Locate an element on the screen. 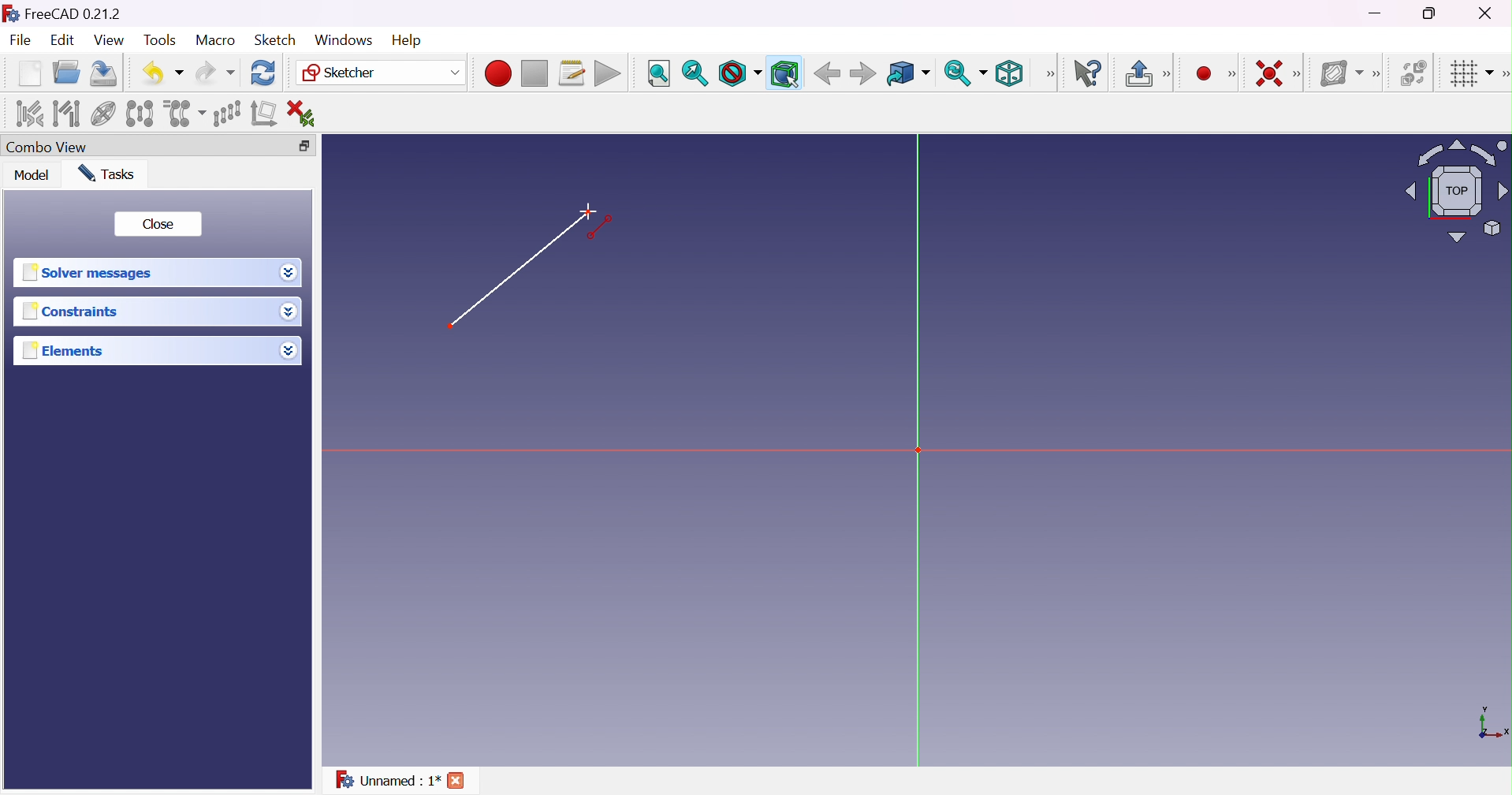  Windows is located at coordinates (342, 39).